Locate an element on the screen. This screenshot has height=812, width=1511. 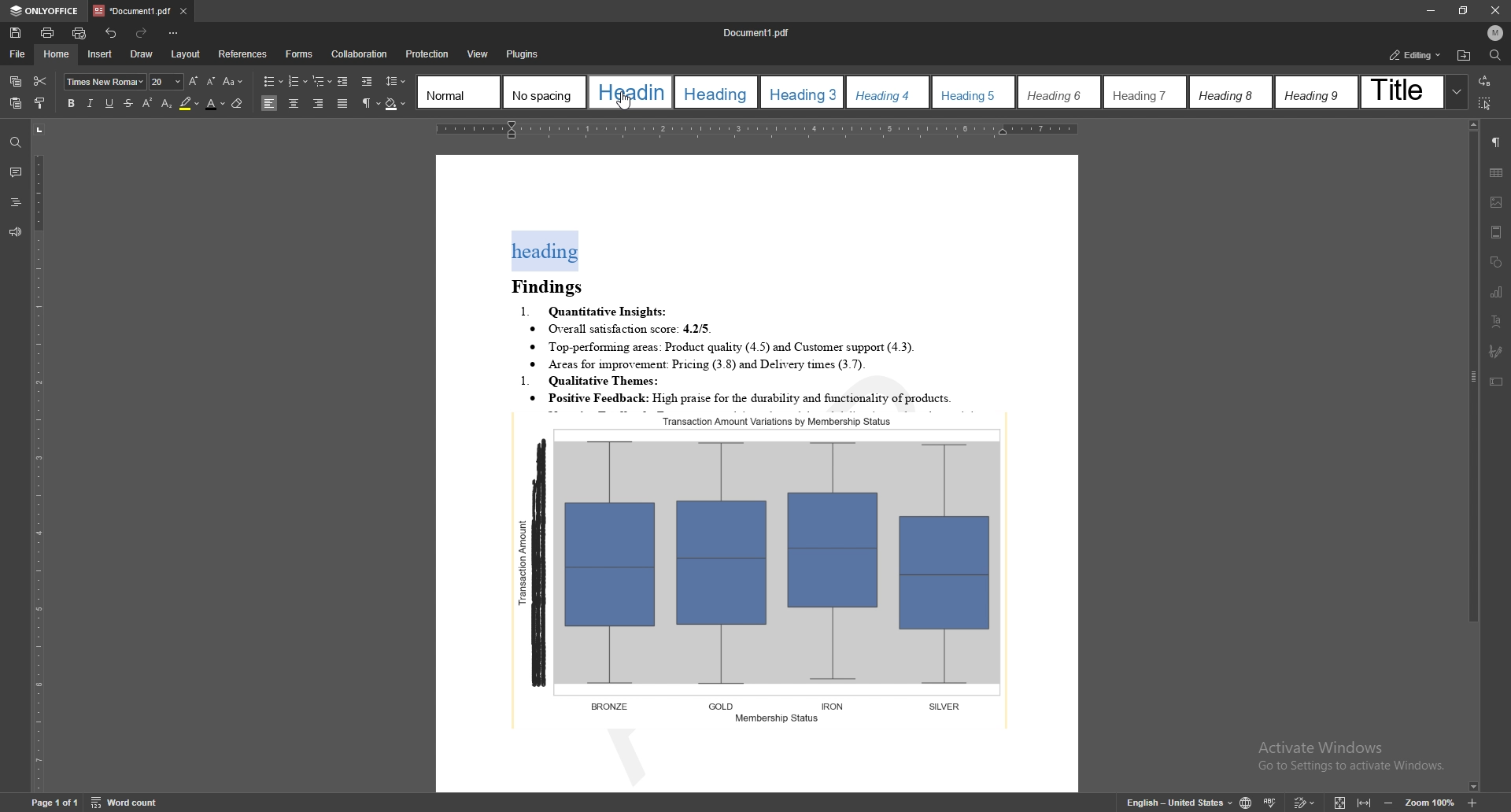
® Areas for improvement: Pricing (3.8) and Delivery times (3.7). is located at coordinates (698, 361).